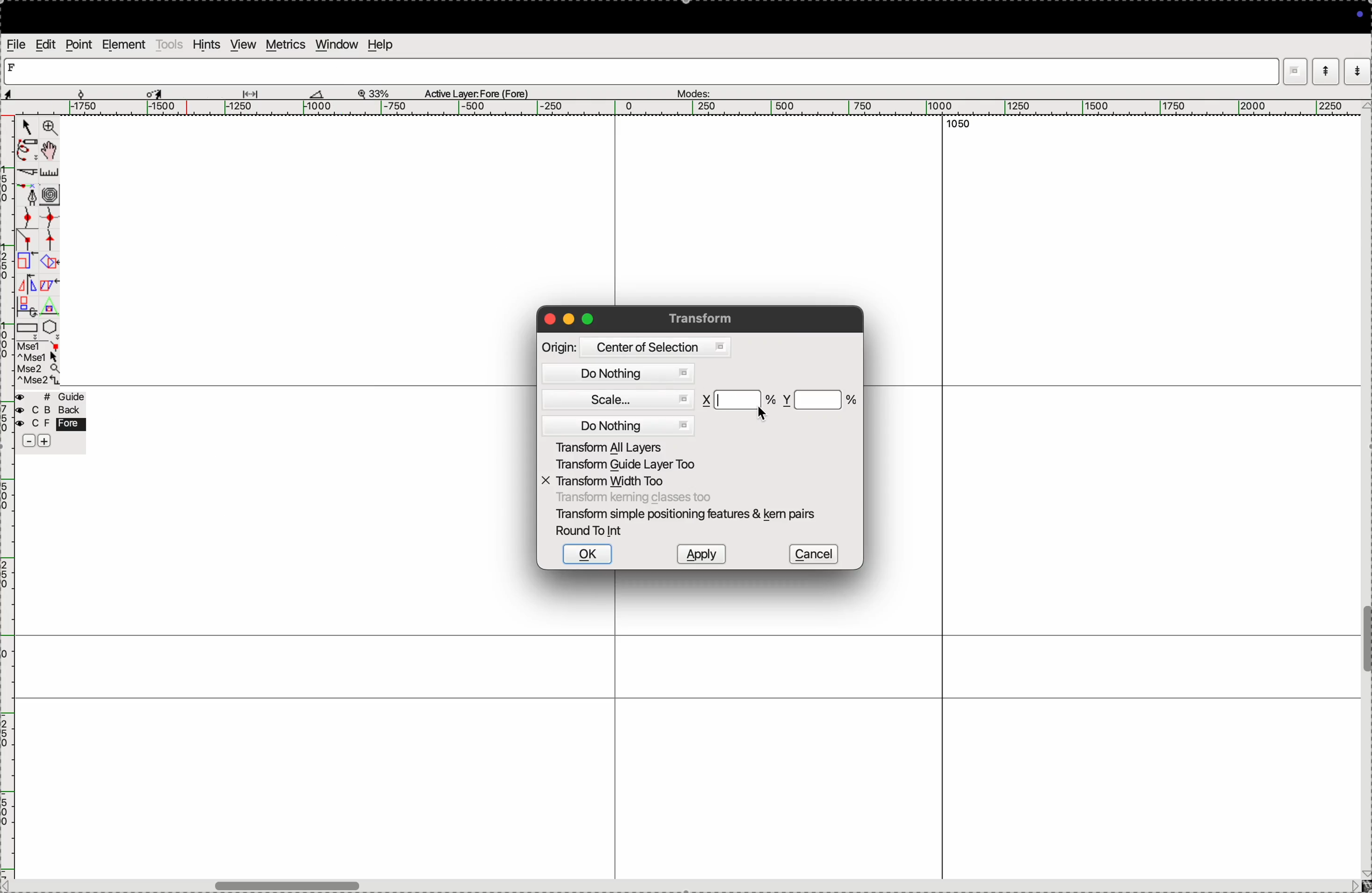 This screenshot has width=1372, height=893. Describe the element at coordinates (587, 554) in the screenshot. I see `ok` at that location.